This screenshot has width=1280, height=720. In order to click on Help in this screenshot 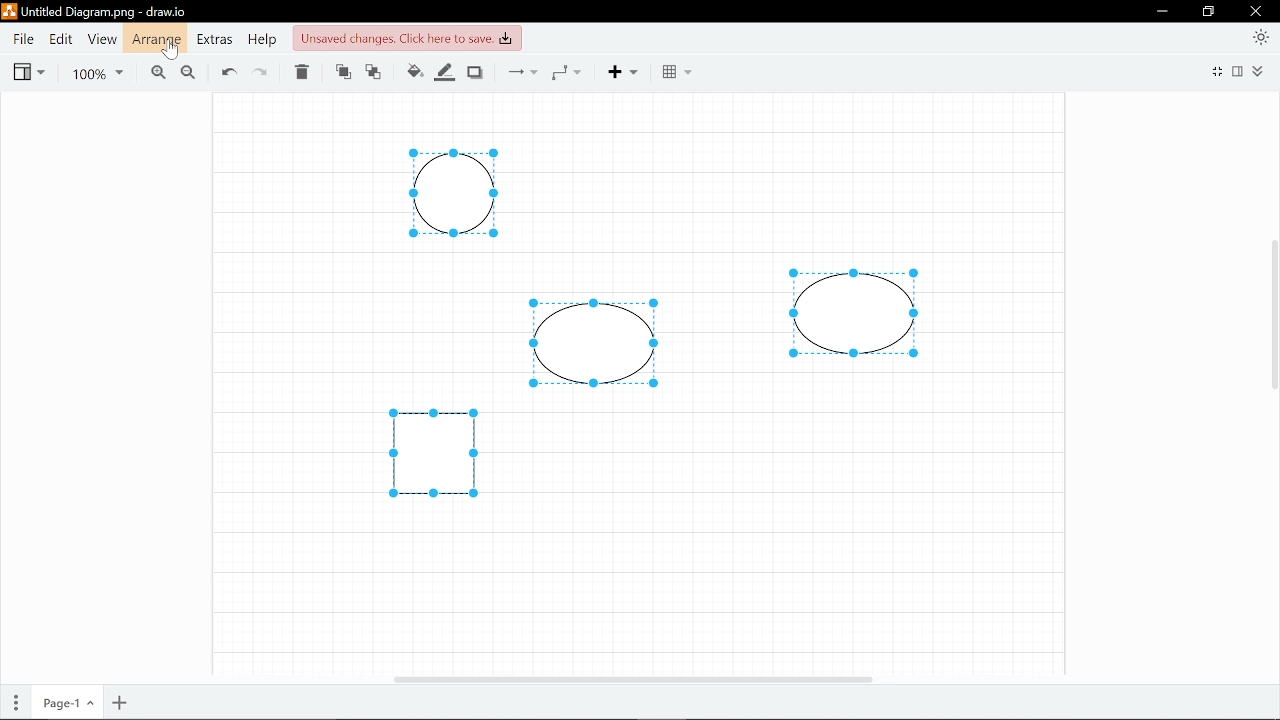, I will do `click(261, 39)`.